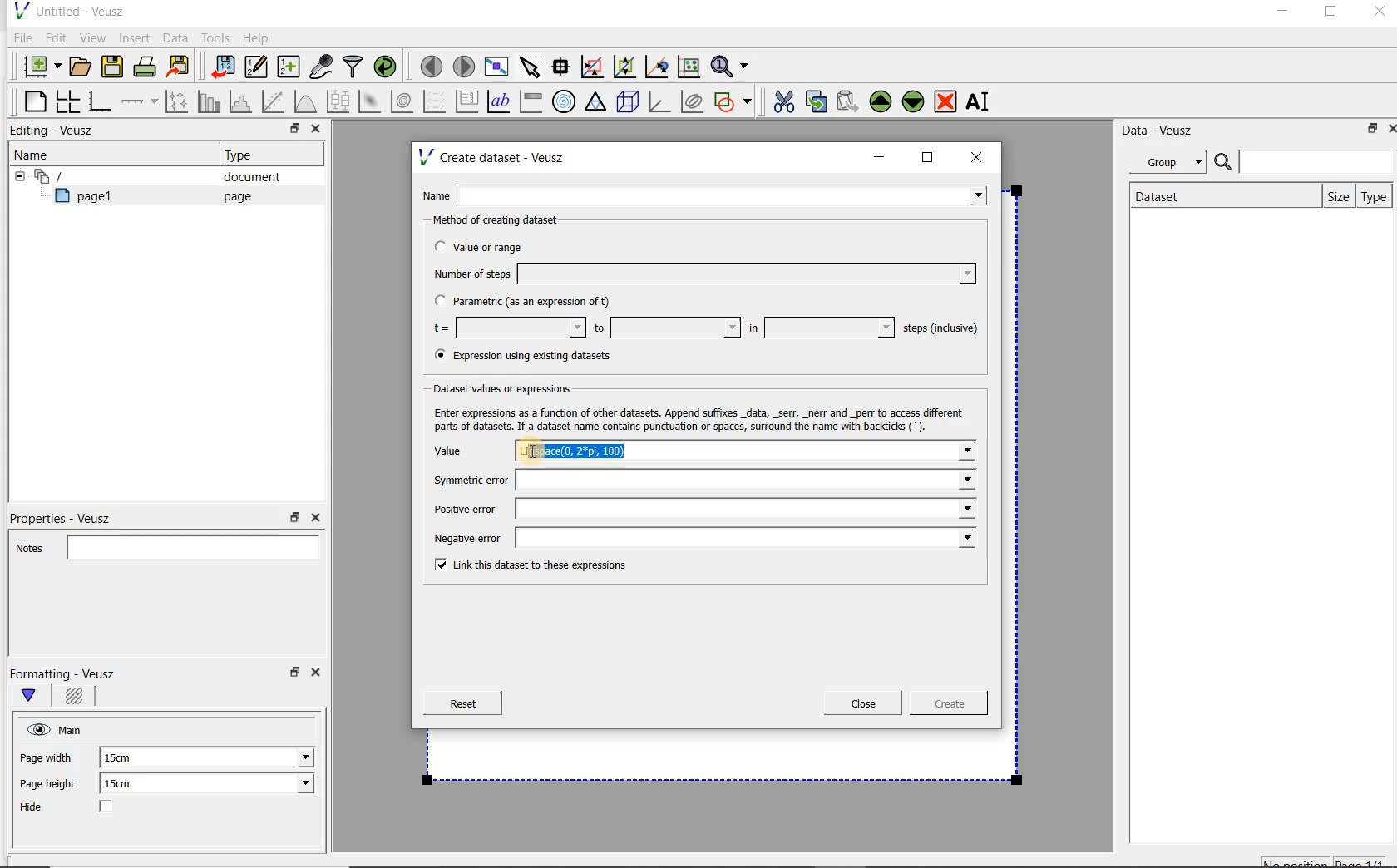 The height and width of the screenshot is (868, 1397). What do you see at coordinates (880, 157) in the screenshot?
I see `minimize` at bounding box center [880, 157].